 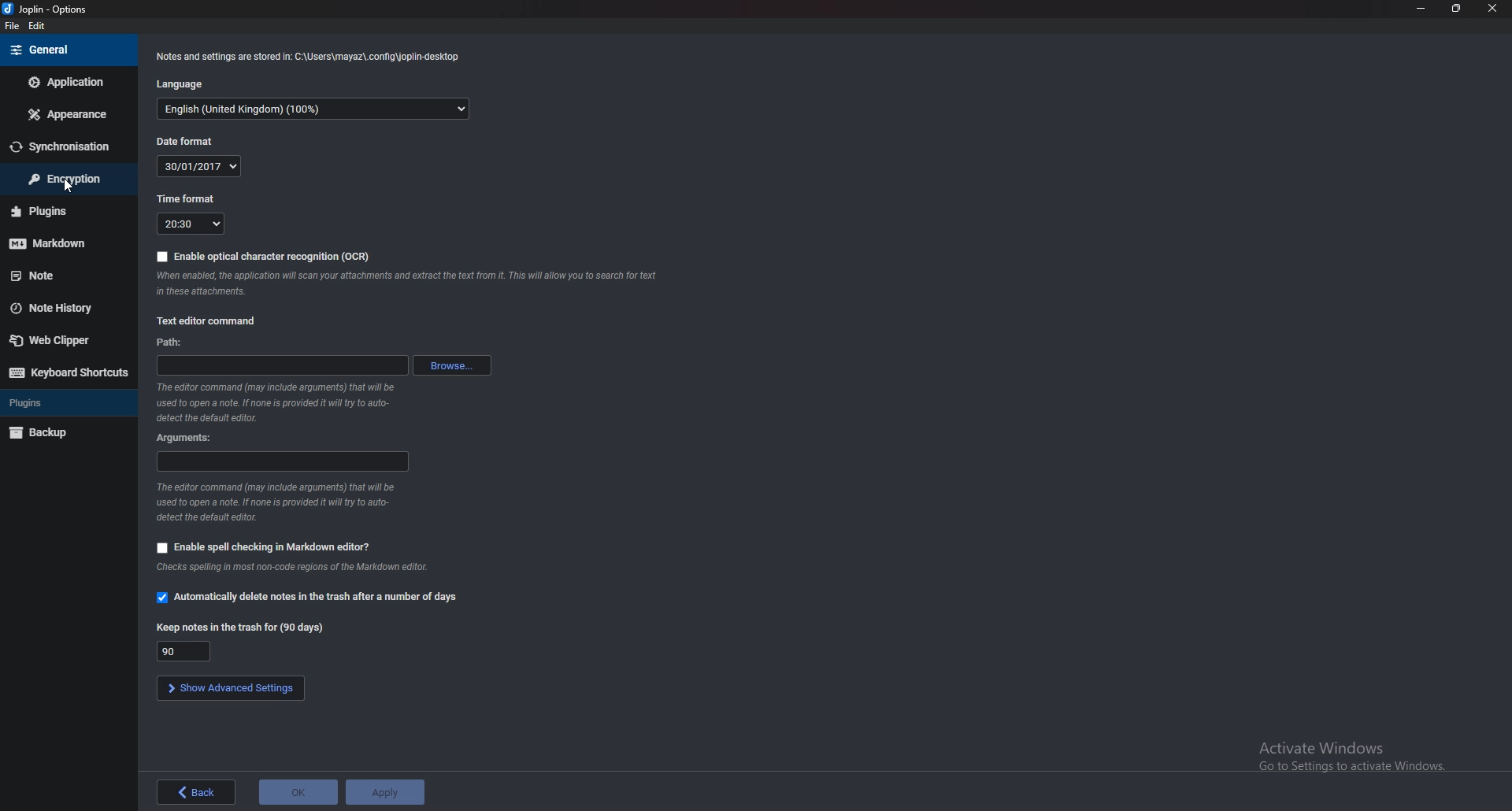 What do you see at coordinates (231, 688) in the screenshot?
I see `show advanced settings` at bounding box center [231, 688].